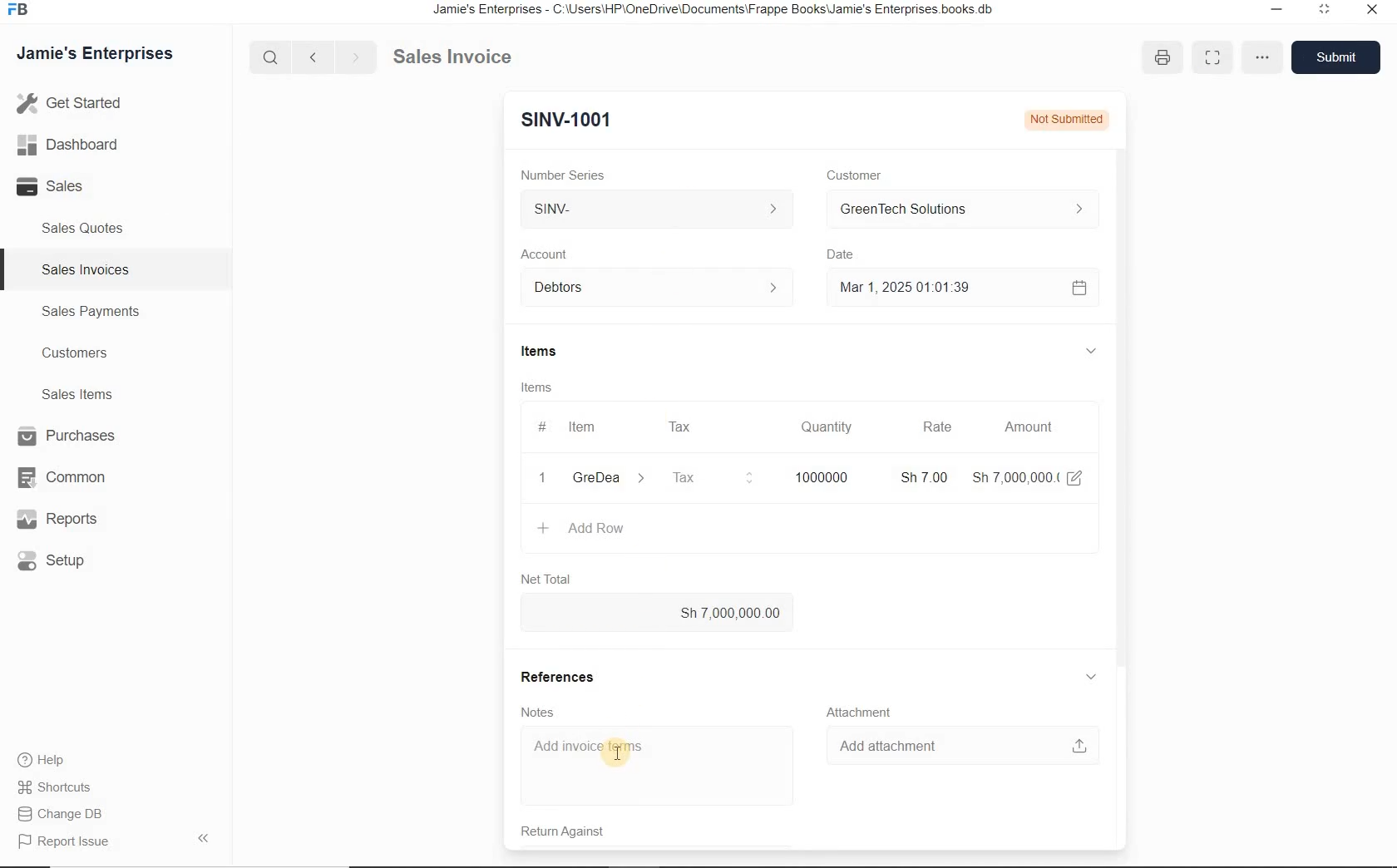  Describe the element at coordinates (63, 562) in the screenshot. I see `Setup` at that location.